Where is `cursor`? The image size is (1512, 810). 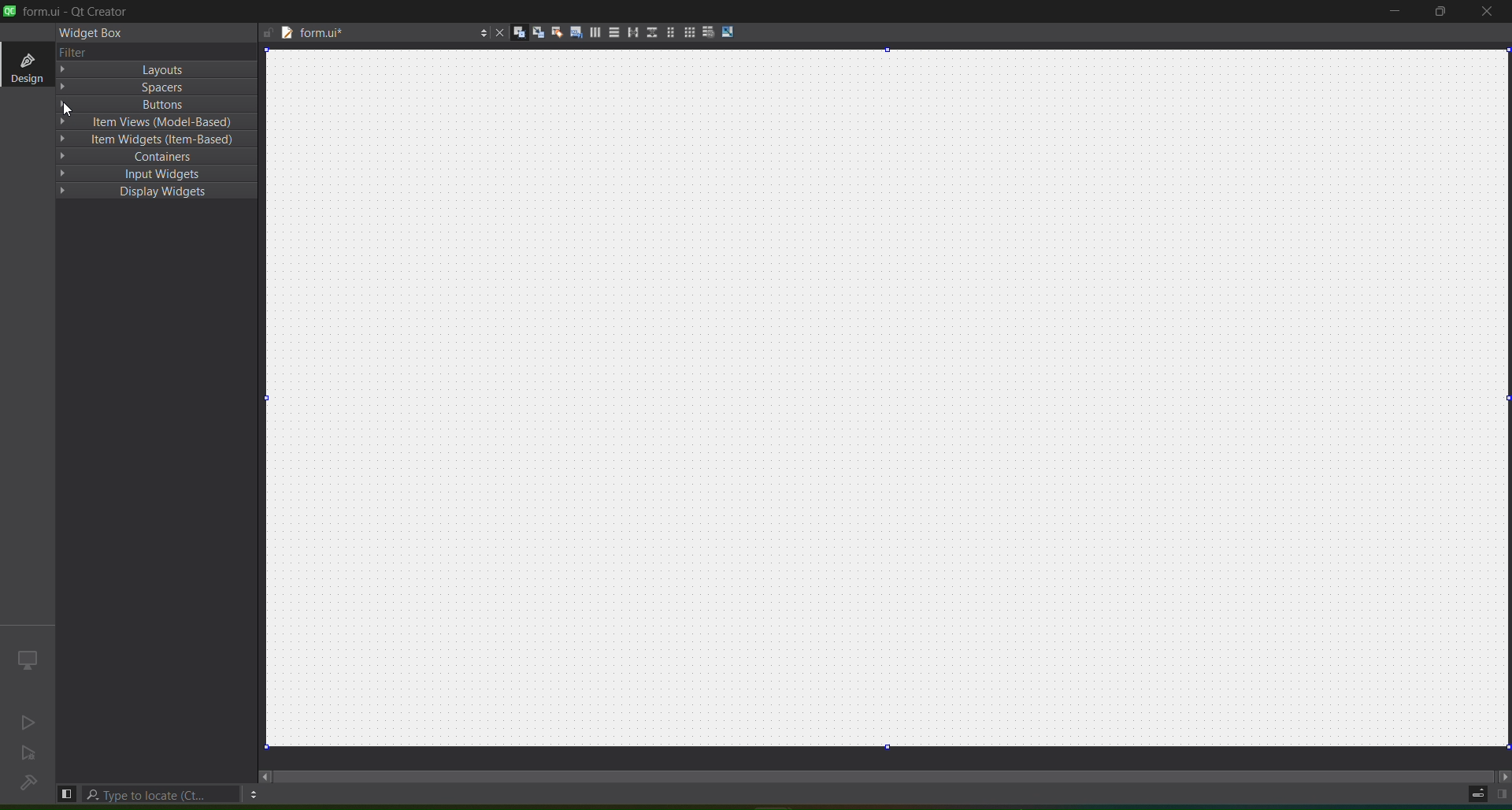 cursor is located at coordinates (62, 108).